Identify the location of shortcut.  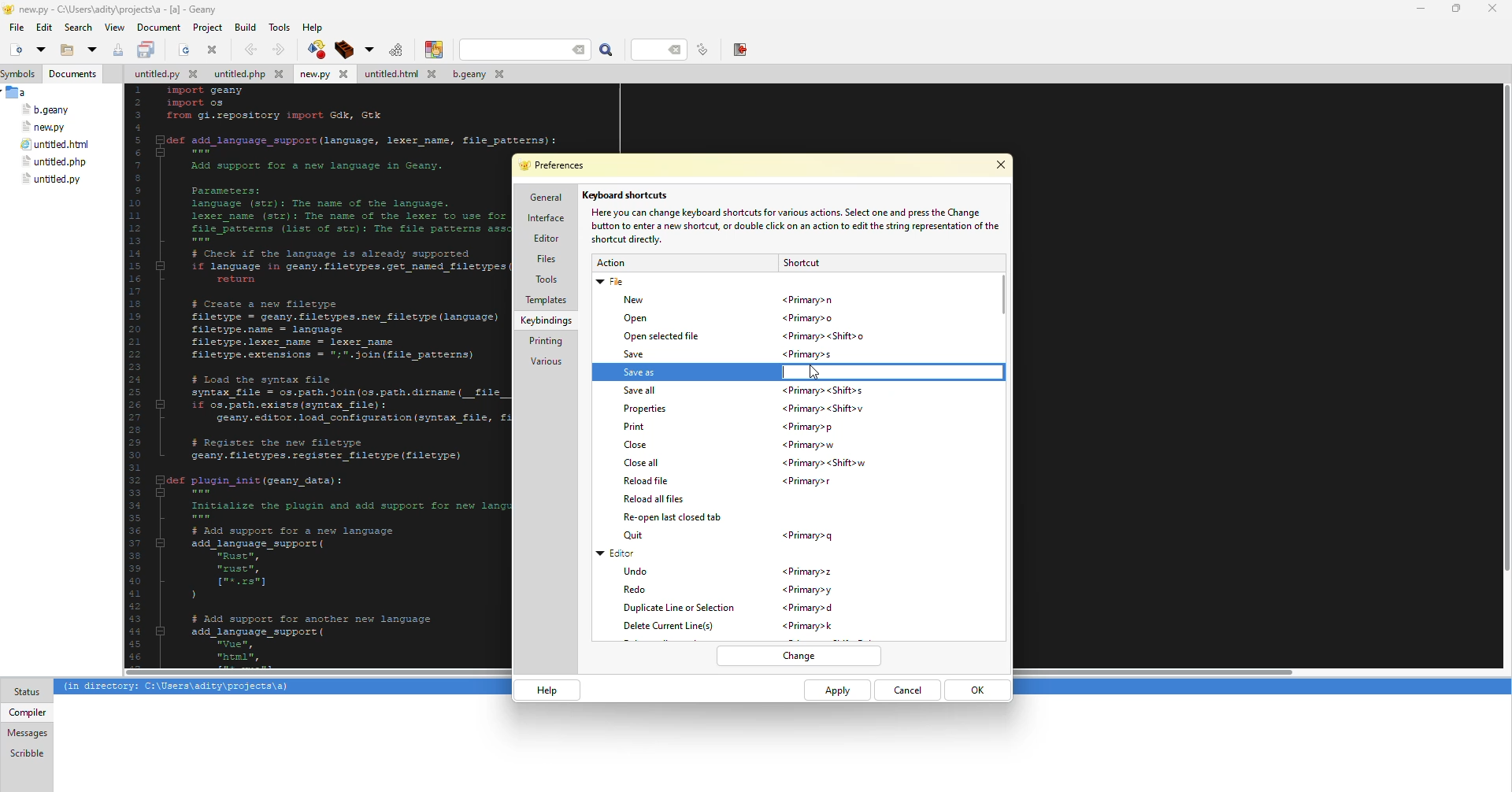
(808, 354).